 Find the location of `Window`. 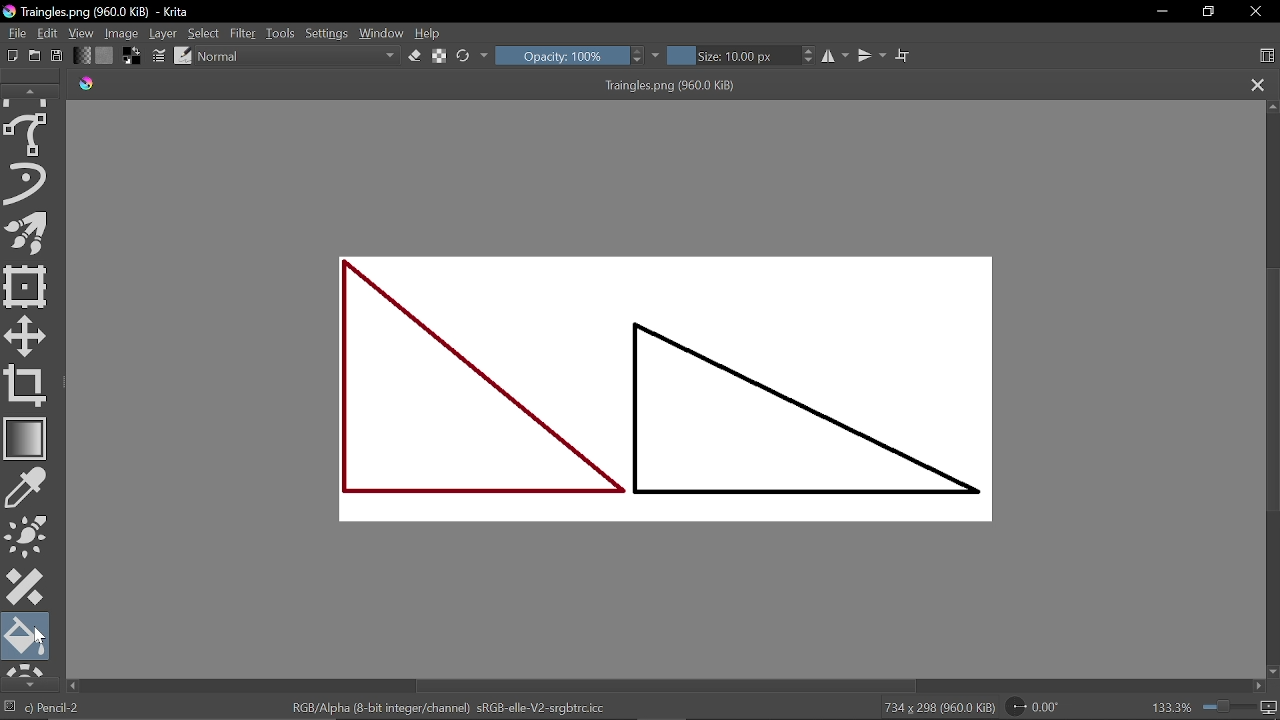

Window is located at coordinates (382, 35).